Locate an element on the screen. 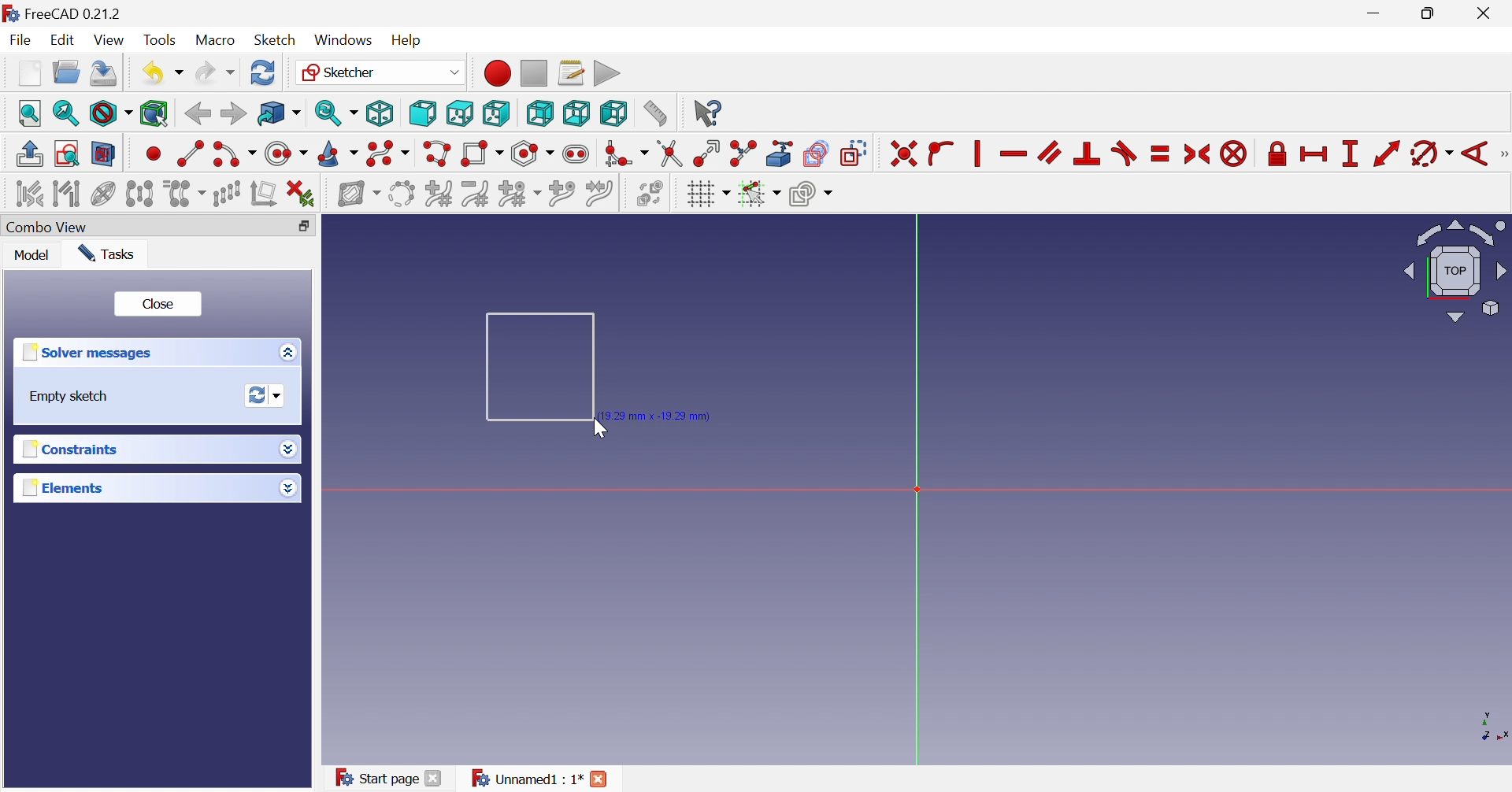  New is located at coordinates (29, 73).